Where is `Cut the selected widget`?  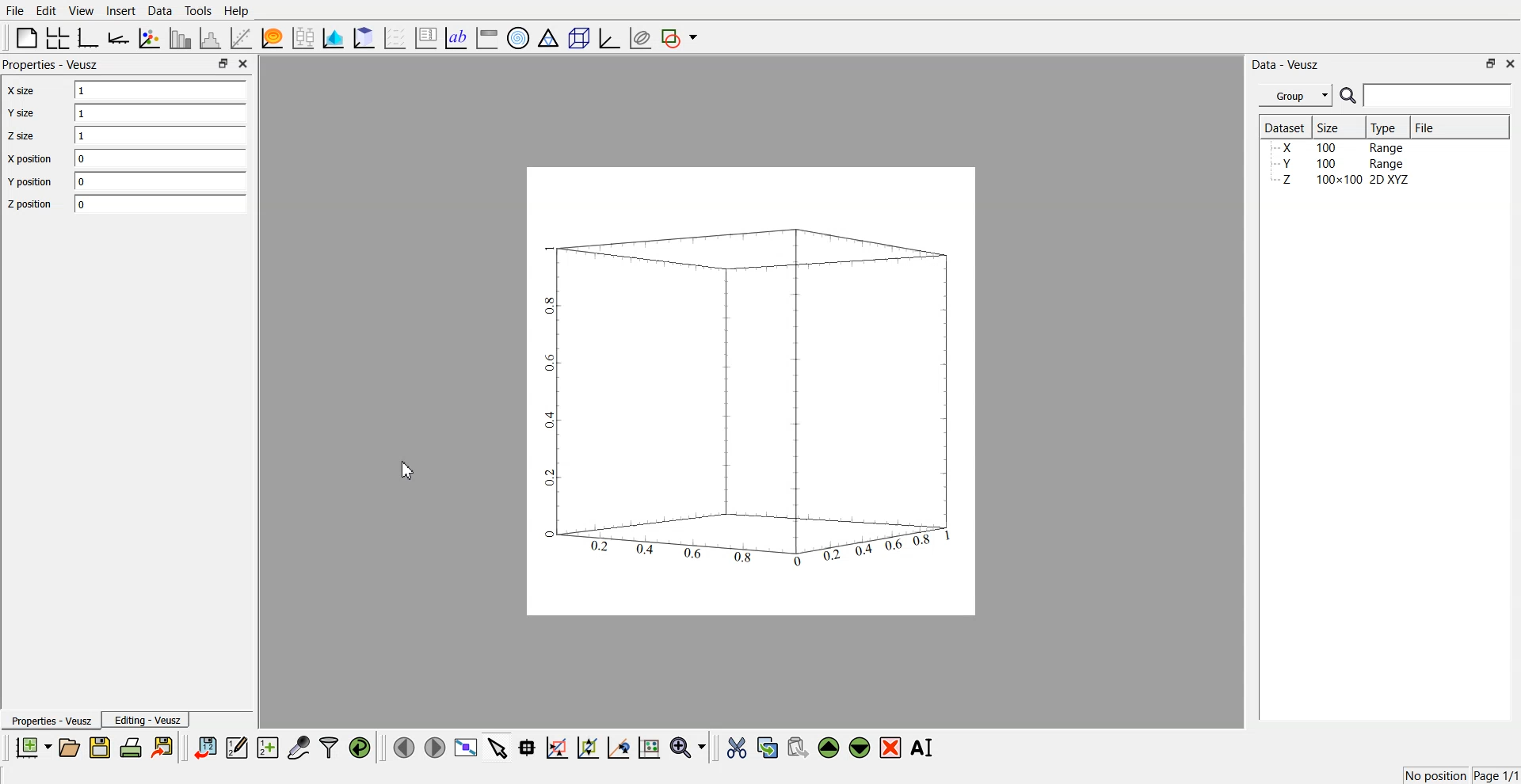 Cut the selected widget is located at coordinates (737, 748).